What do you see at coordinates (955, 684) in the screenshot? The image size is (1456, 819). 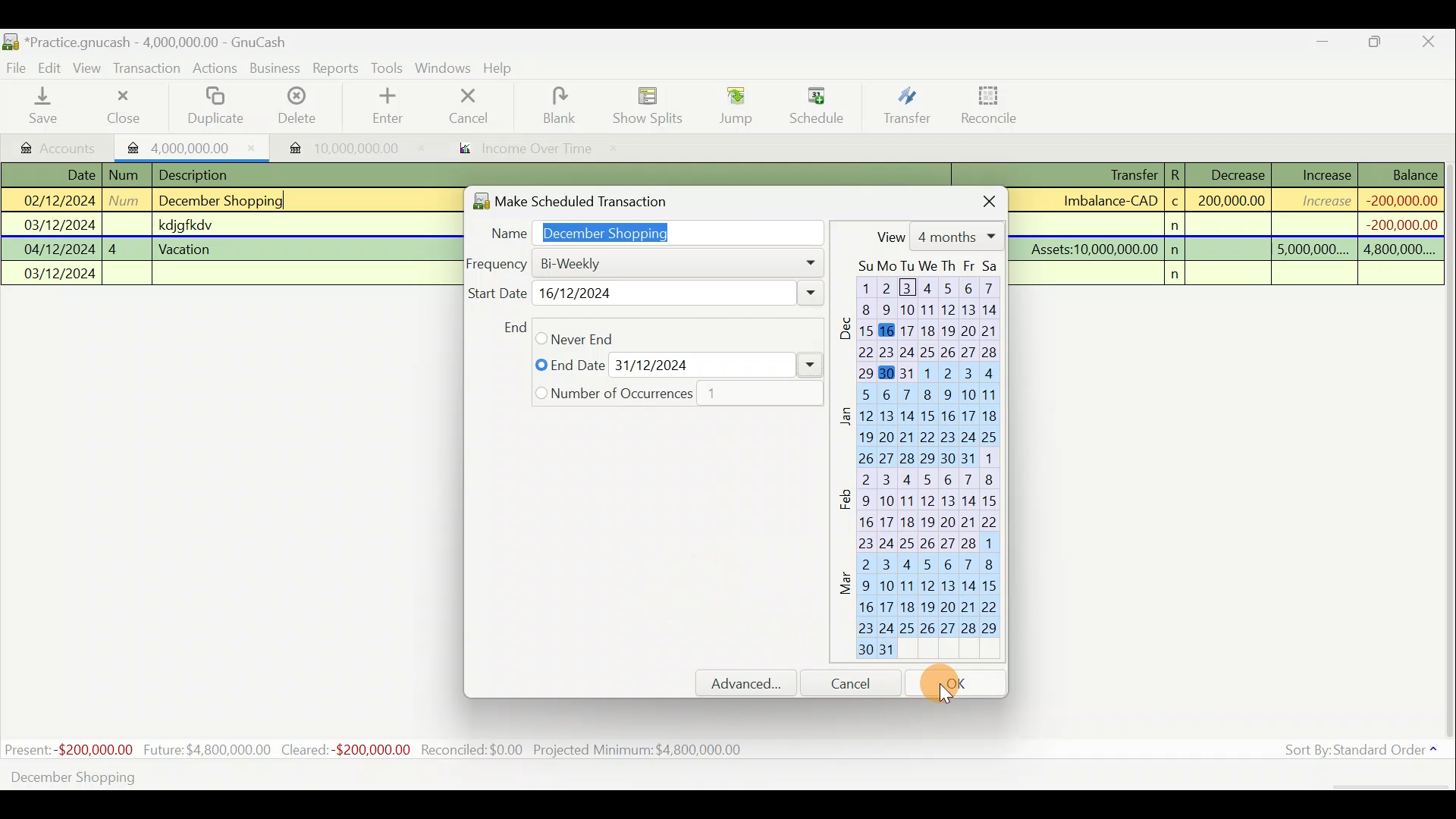 I see `Cursor` at bounding box center [955, 684].